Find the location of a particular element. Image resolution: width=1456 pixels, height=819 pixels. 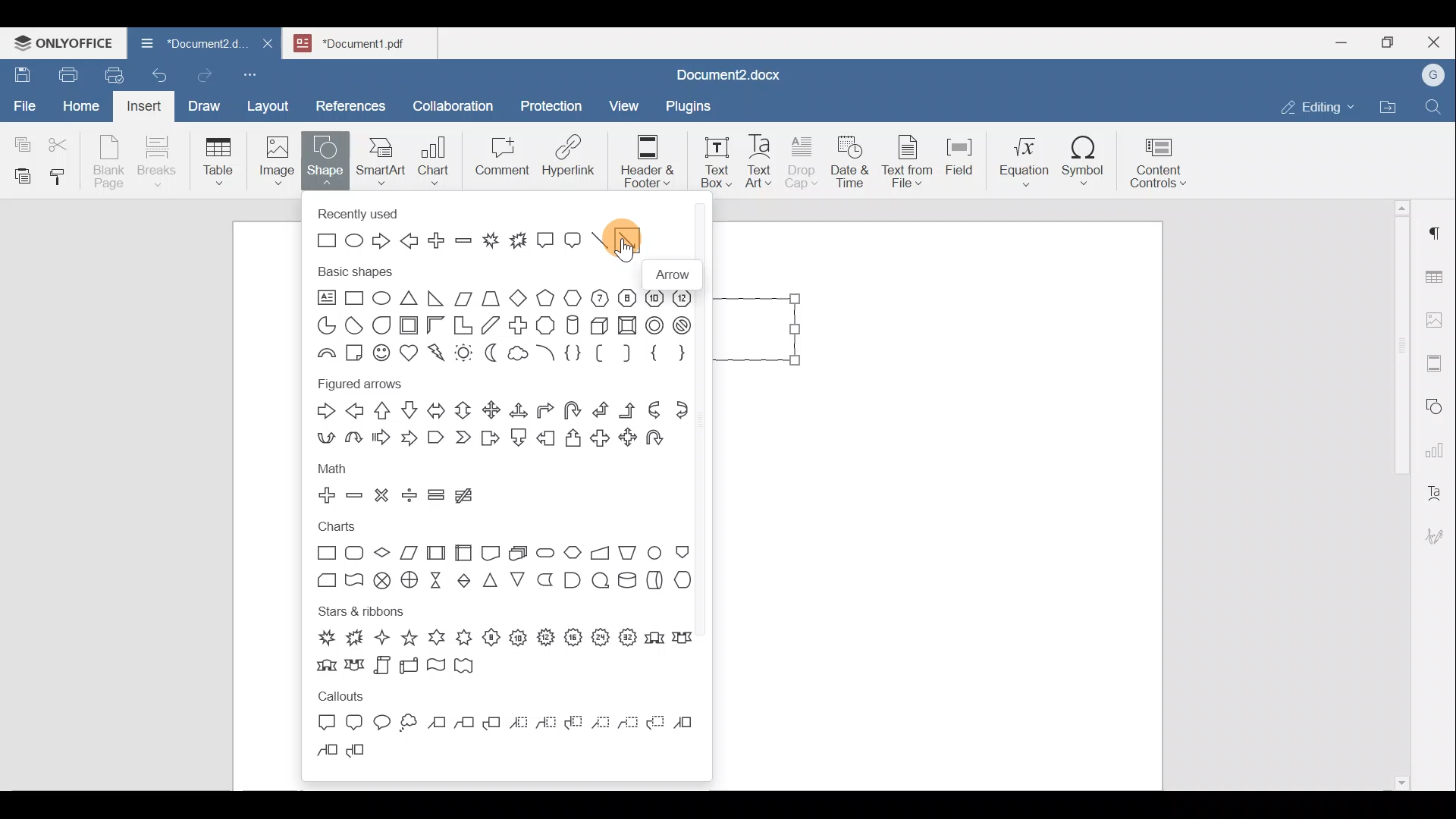

ONLYOFFICE is located at coordinates (64, 42).